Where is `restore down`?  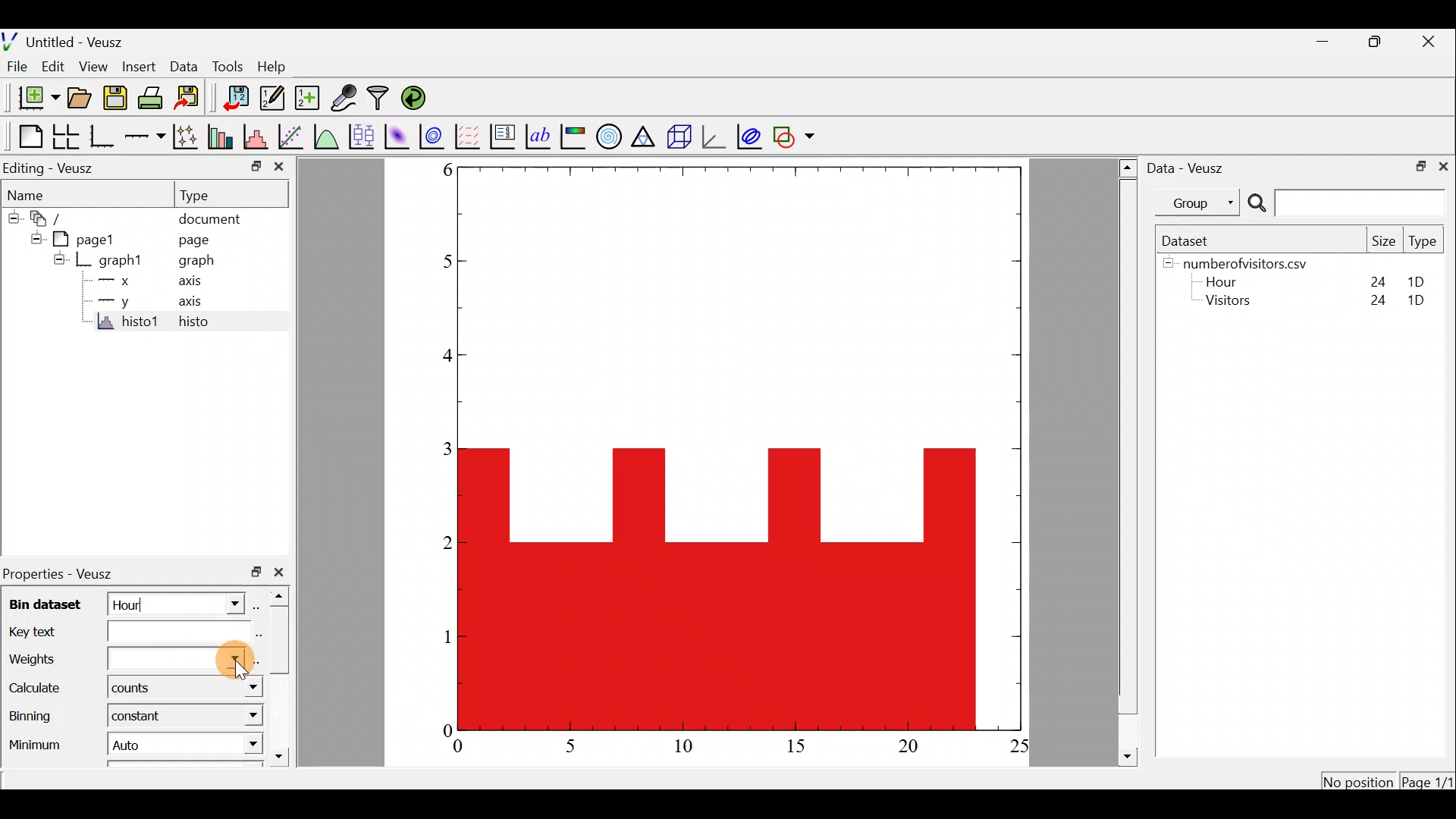
restore down is located at coordinates (1419, 167).